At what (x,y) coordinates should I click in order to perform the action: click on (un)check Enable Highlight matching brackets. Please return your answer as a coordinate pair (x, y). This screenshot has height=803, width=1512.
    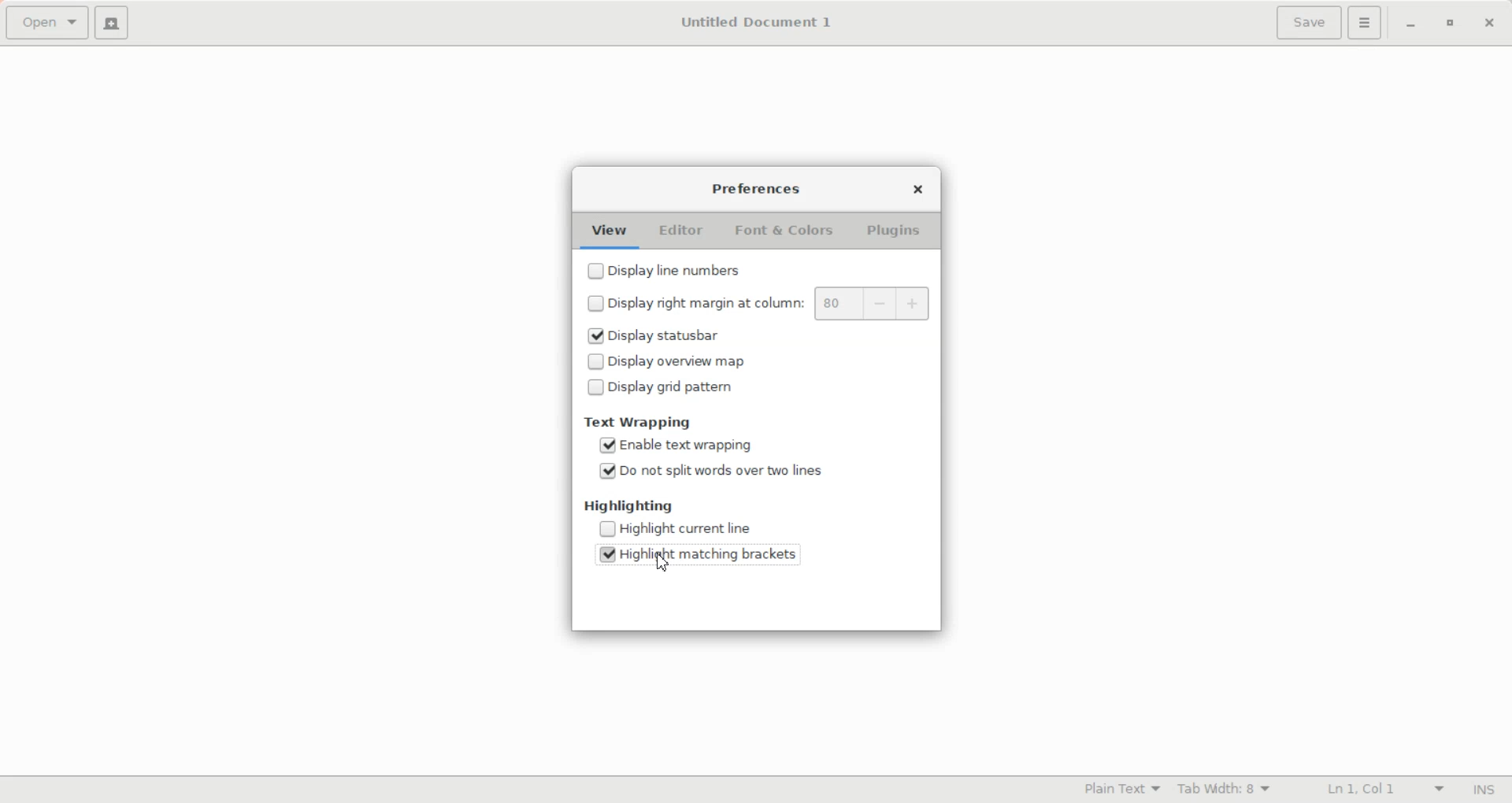
    Looking at the image, I should click on (706, 552).